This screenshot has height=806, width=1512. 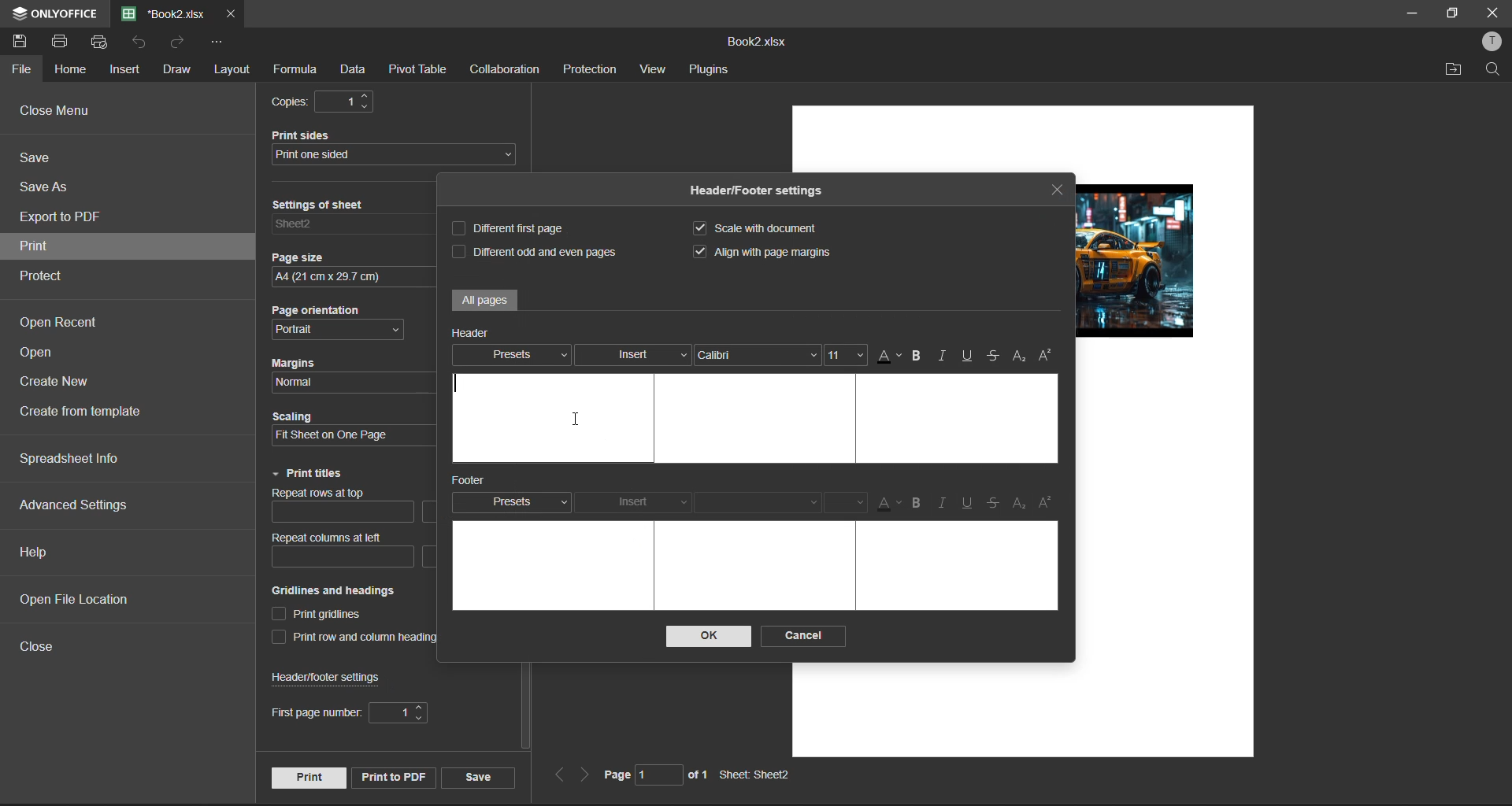 I want to click on superscript, so click(x=1049, y=501).